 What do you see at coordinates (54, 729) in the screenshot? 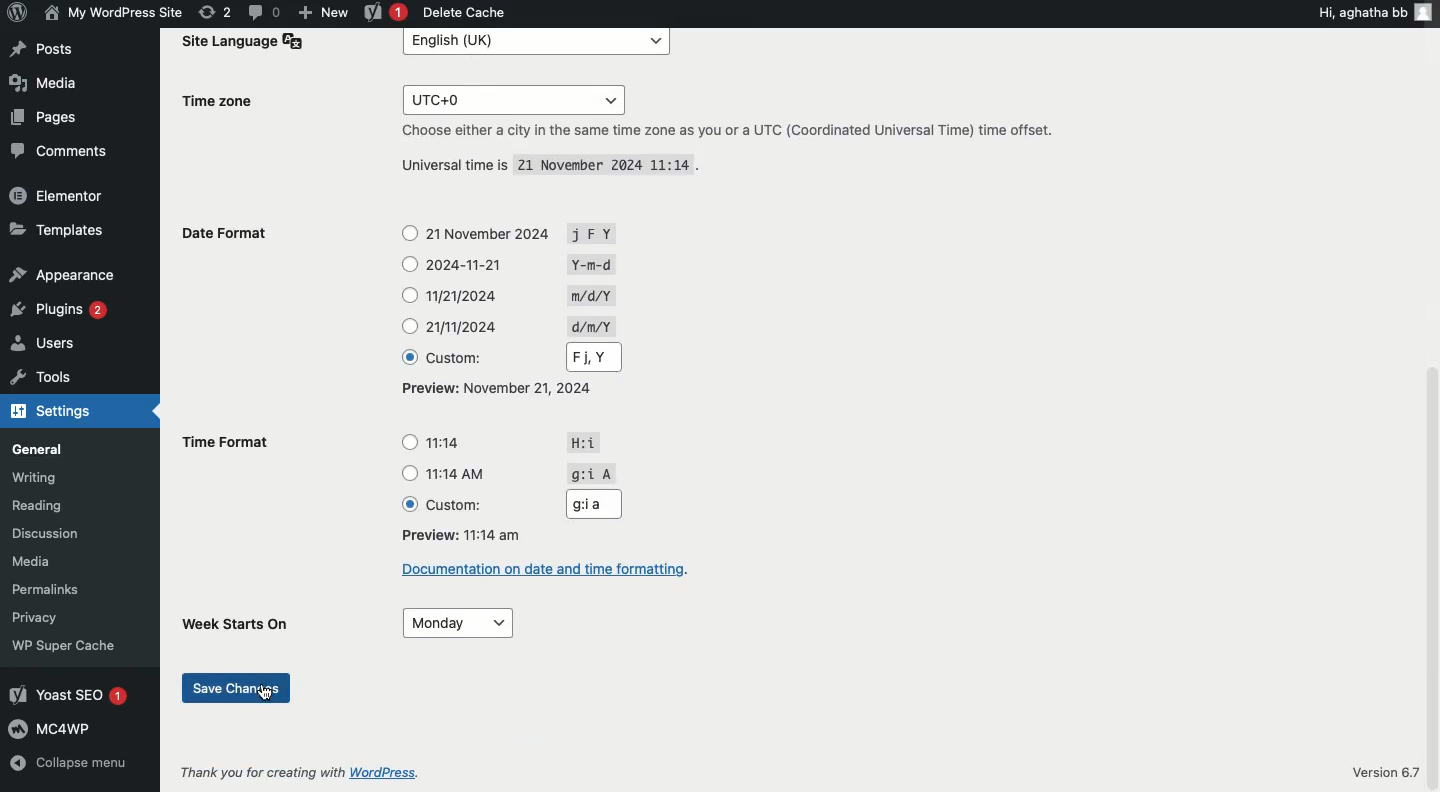
I see `MC4WP` at bounding box center [54, 729].